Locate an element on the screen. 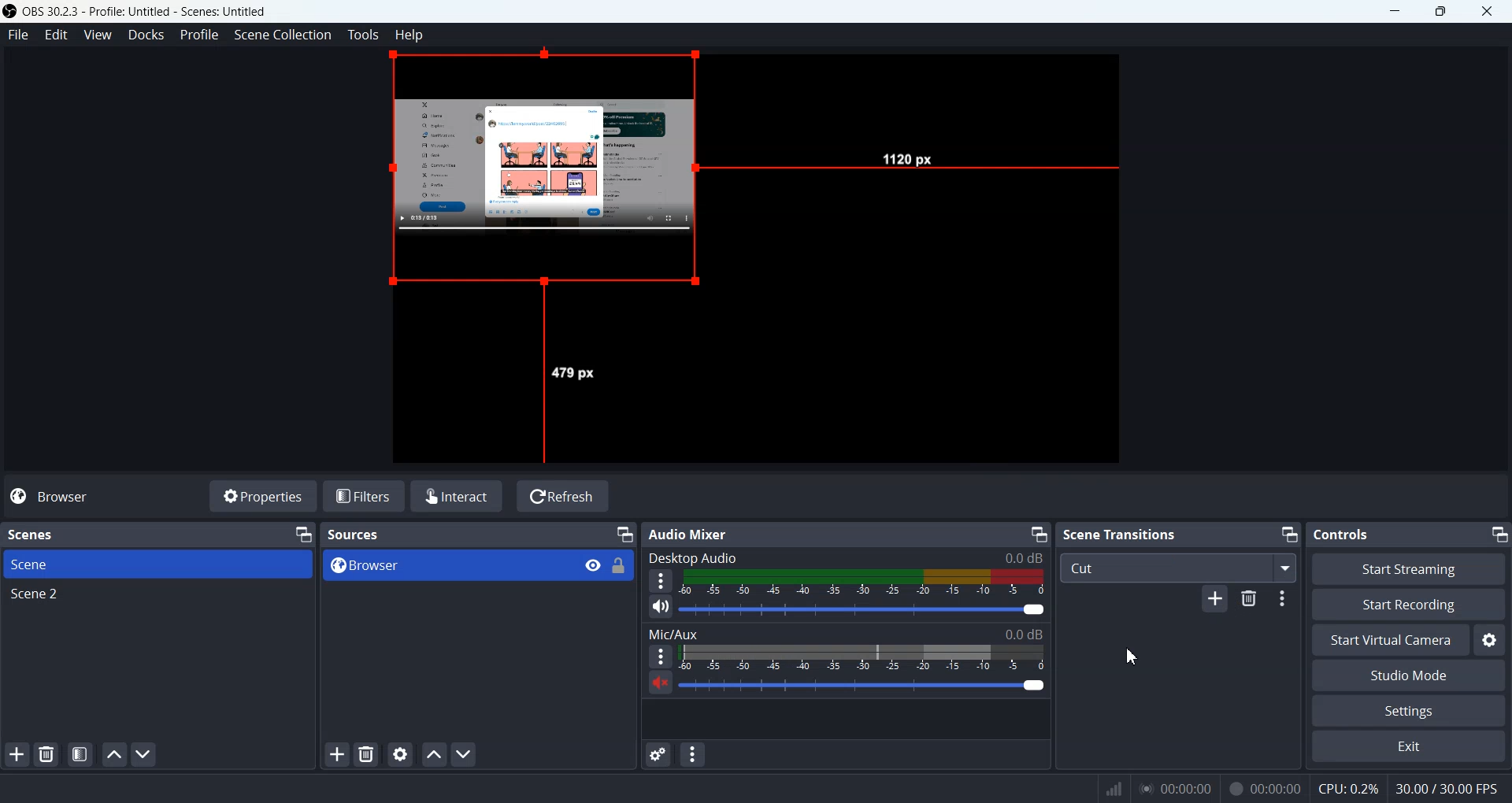  File is located at coordinates (16, 34).